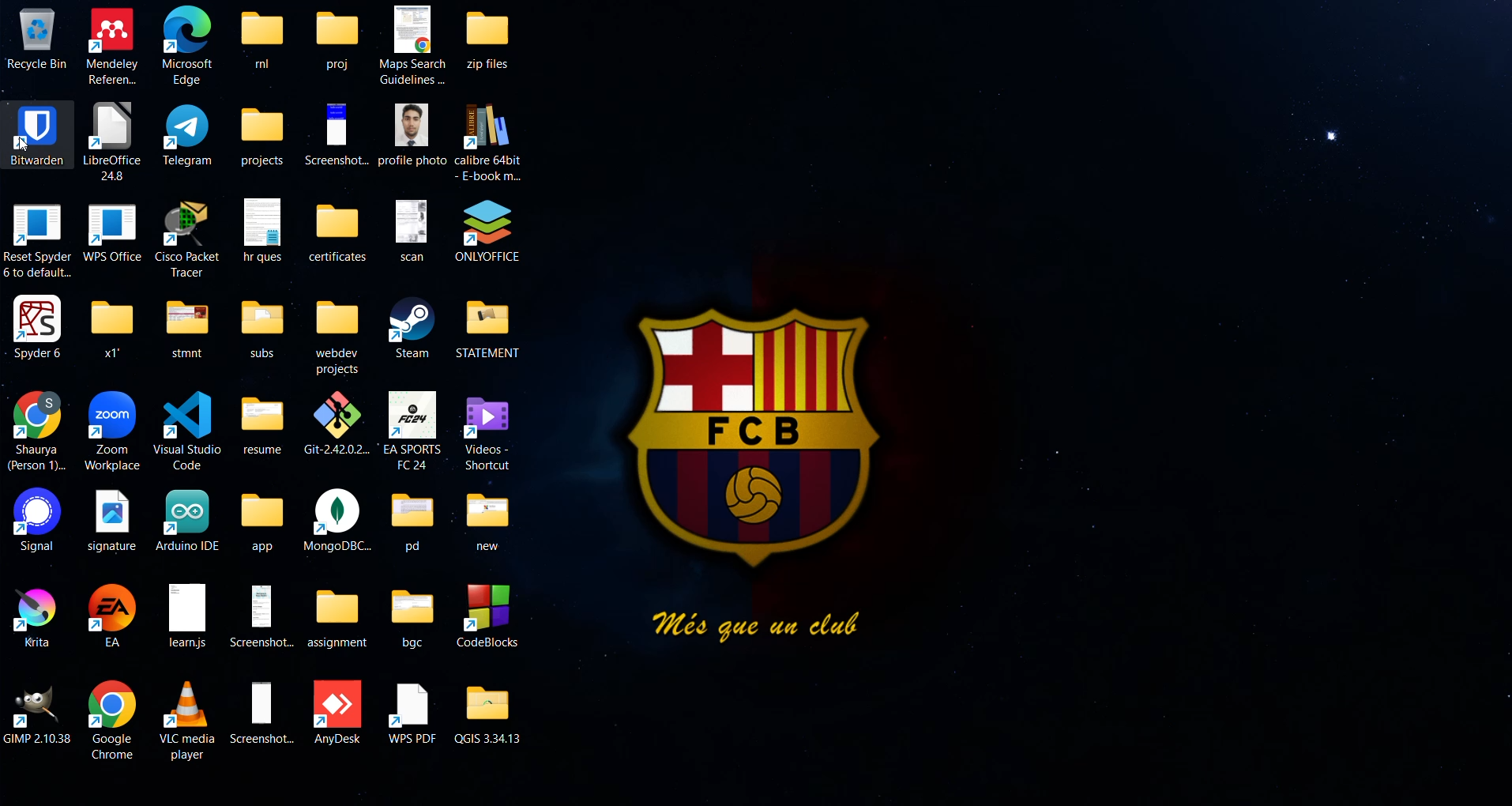 Image resolution: width=1512 pixels, height=806 pixels. Describe the element at coordinates (336, 422) in the screenshot. I see `Git-2.42.0.2...` at that location.